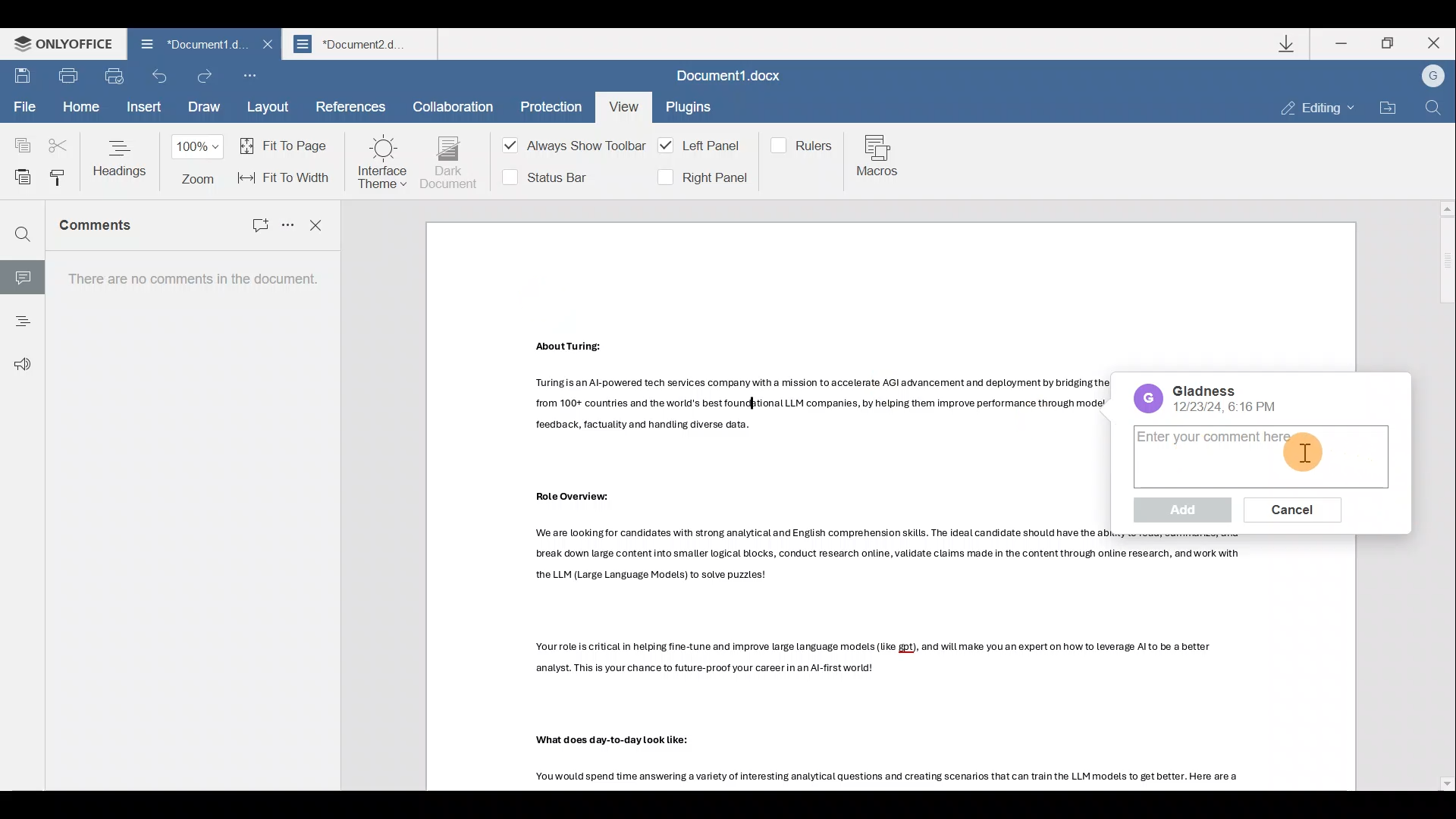 The height and width of the screenshot is (819, 1456). What do you see at coordinates (202, 108) in the screenshot?
I see `Draw` at bounding box center [202, 108].